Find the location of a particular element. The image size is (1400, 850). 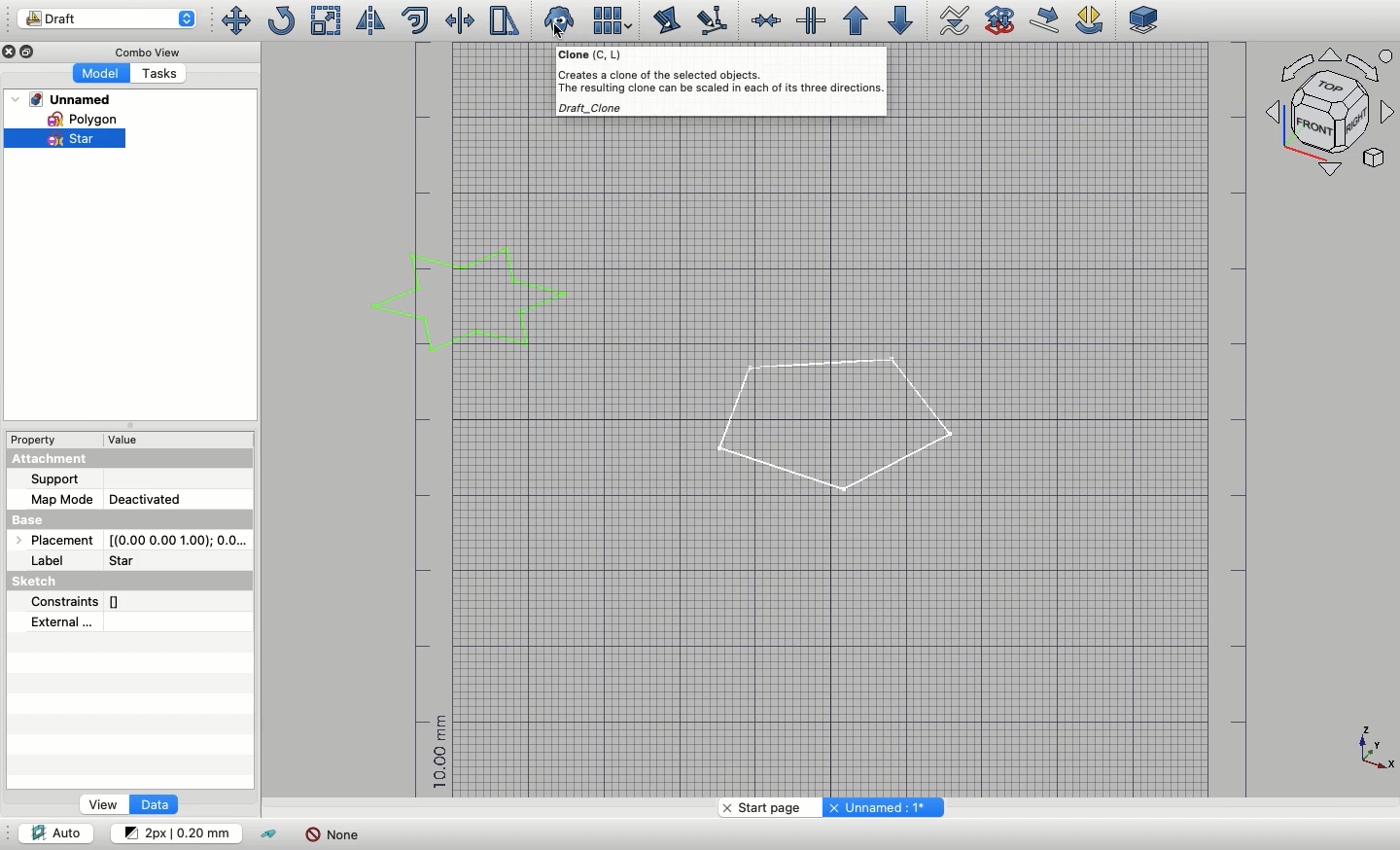

Data is located at coordinates (153, 804).